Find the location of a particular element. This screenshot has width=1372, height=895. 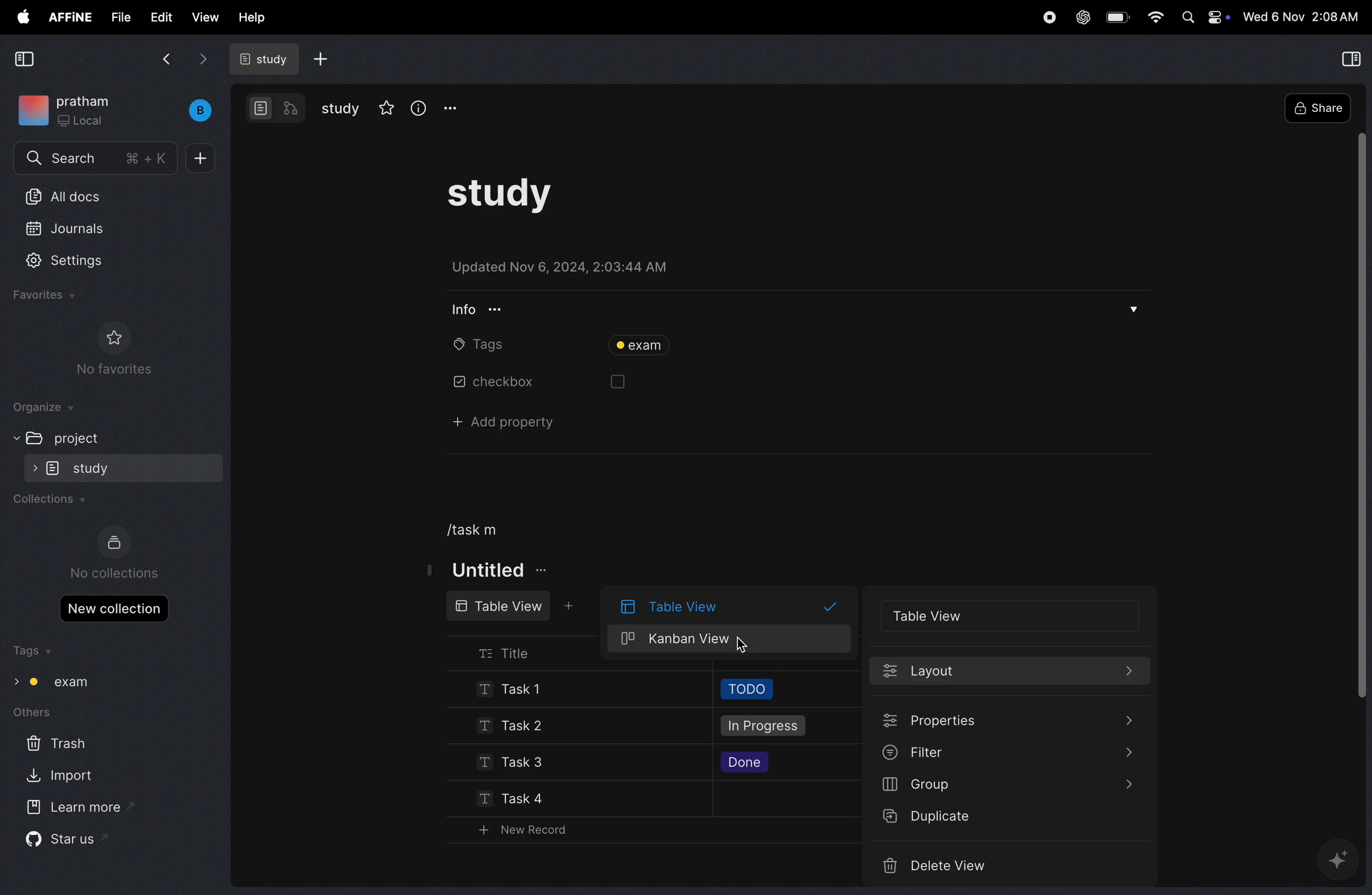

tags is located at coordinates (39, 649).